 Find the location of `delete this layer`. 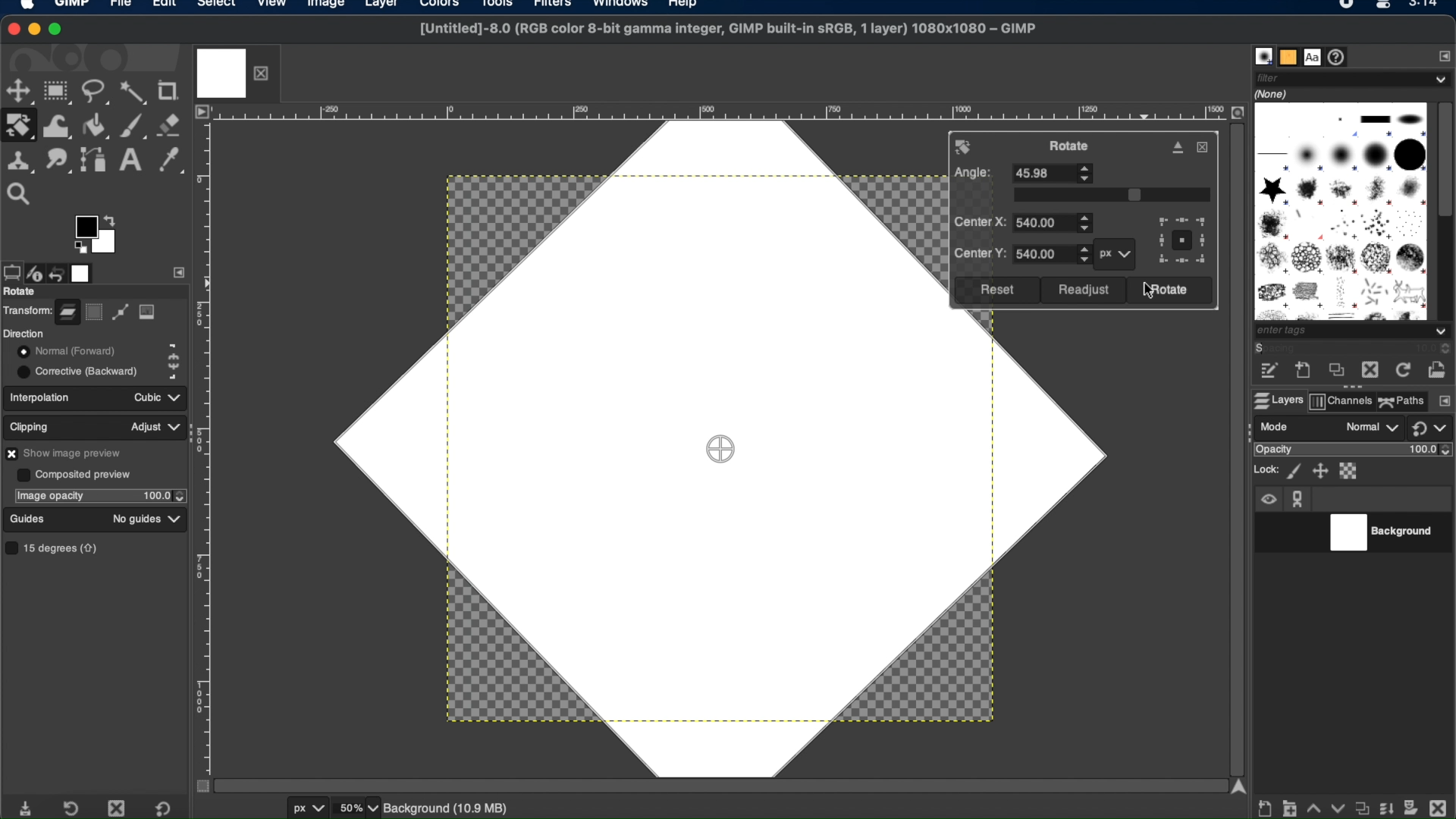

delete this layer is located at coordinates (1438, 804).